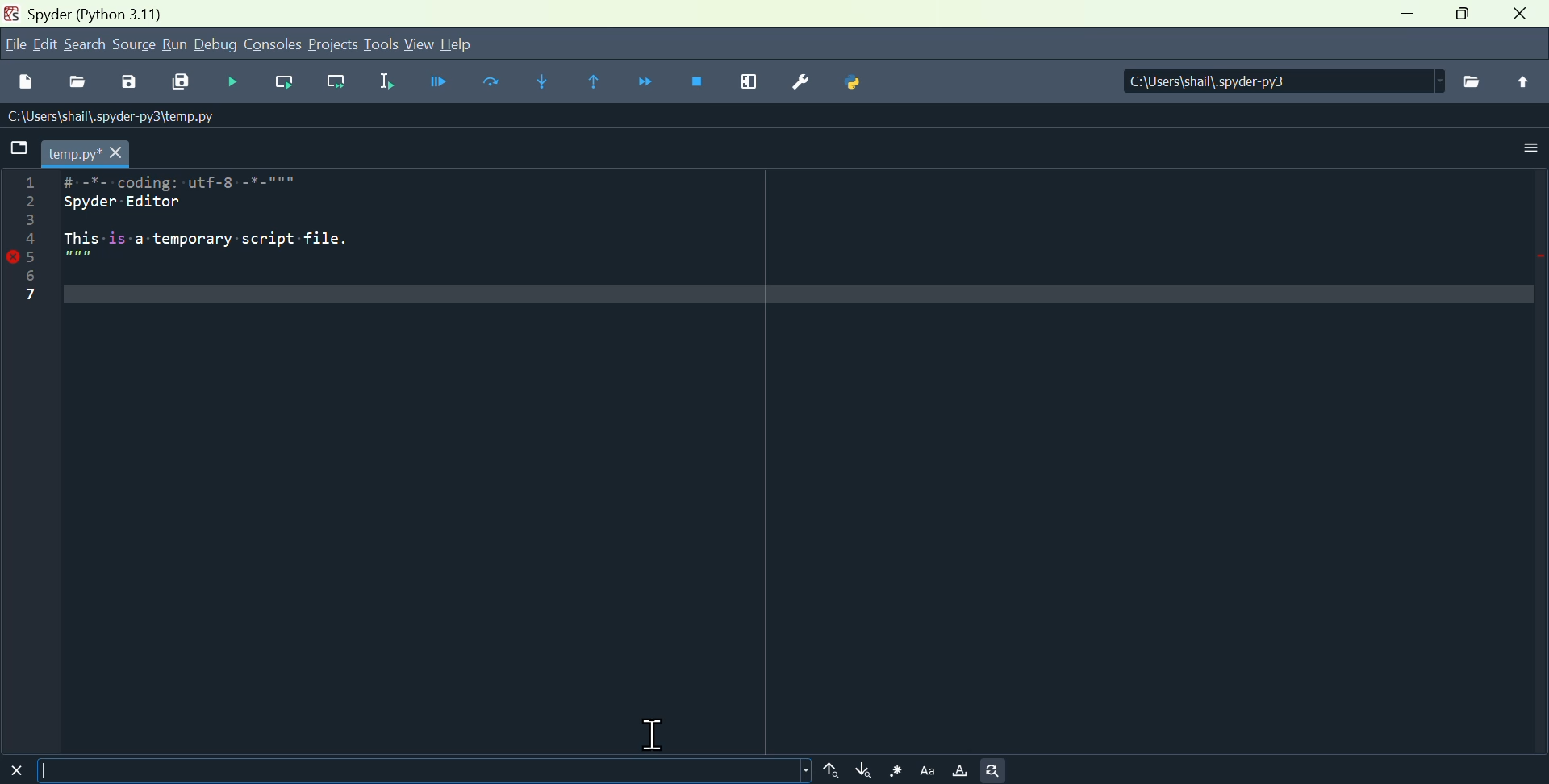 The height and width of the screenshot is (784, 1549). What do you see at coordinates (799, 83) in the screenshot?
I see `Preferences` at bounding box center [799, 83].